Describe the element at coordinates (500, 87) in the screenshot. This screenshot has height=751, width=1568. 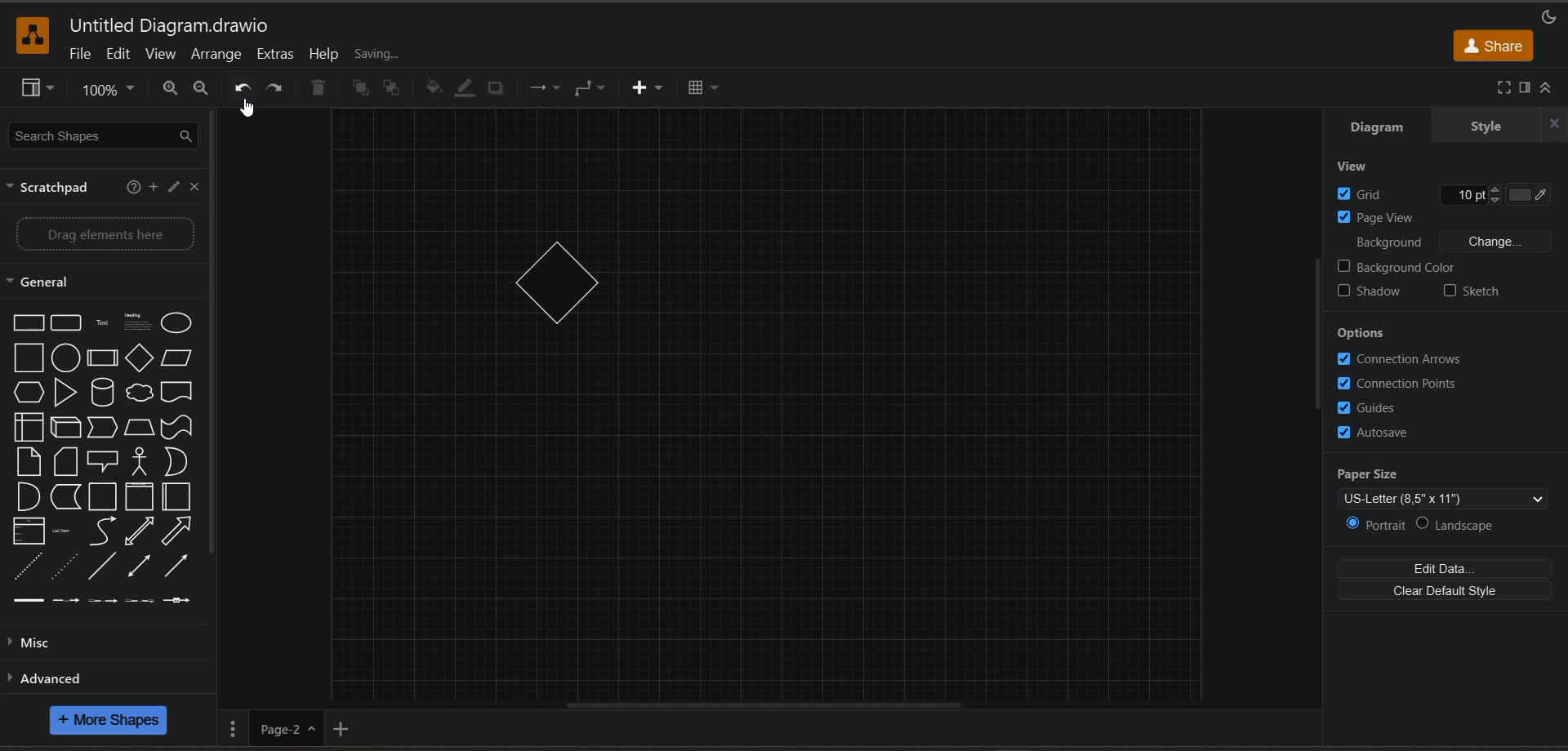
I see `shadow` at that location.